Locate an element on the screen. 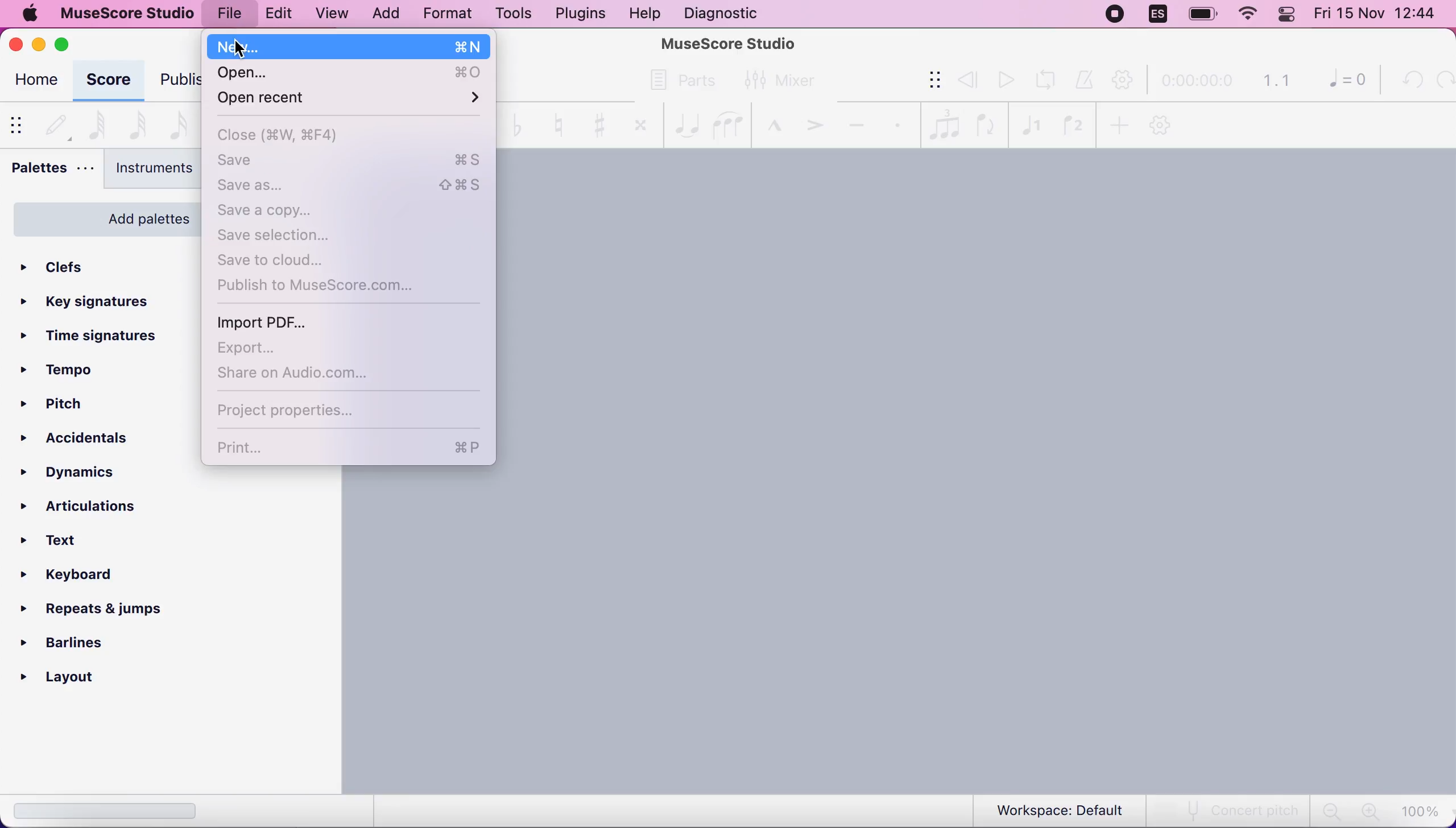  playback loop is located at coordinates (1049, 78).